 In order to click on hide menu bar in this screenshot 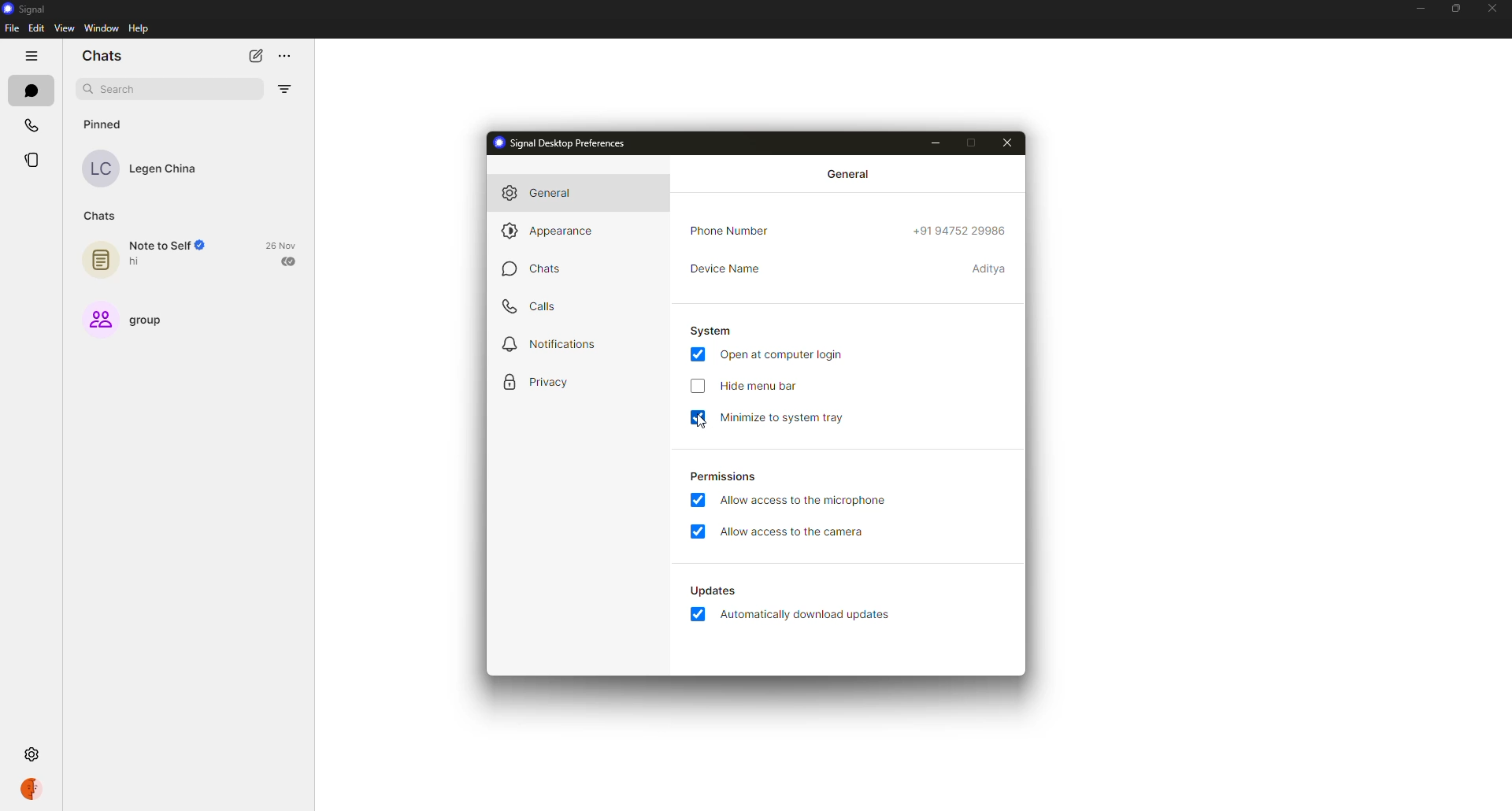, I will do `click(761, 387)`.